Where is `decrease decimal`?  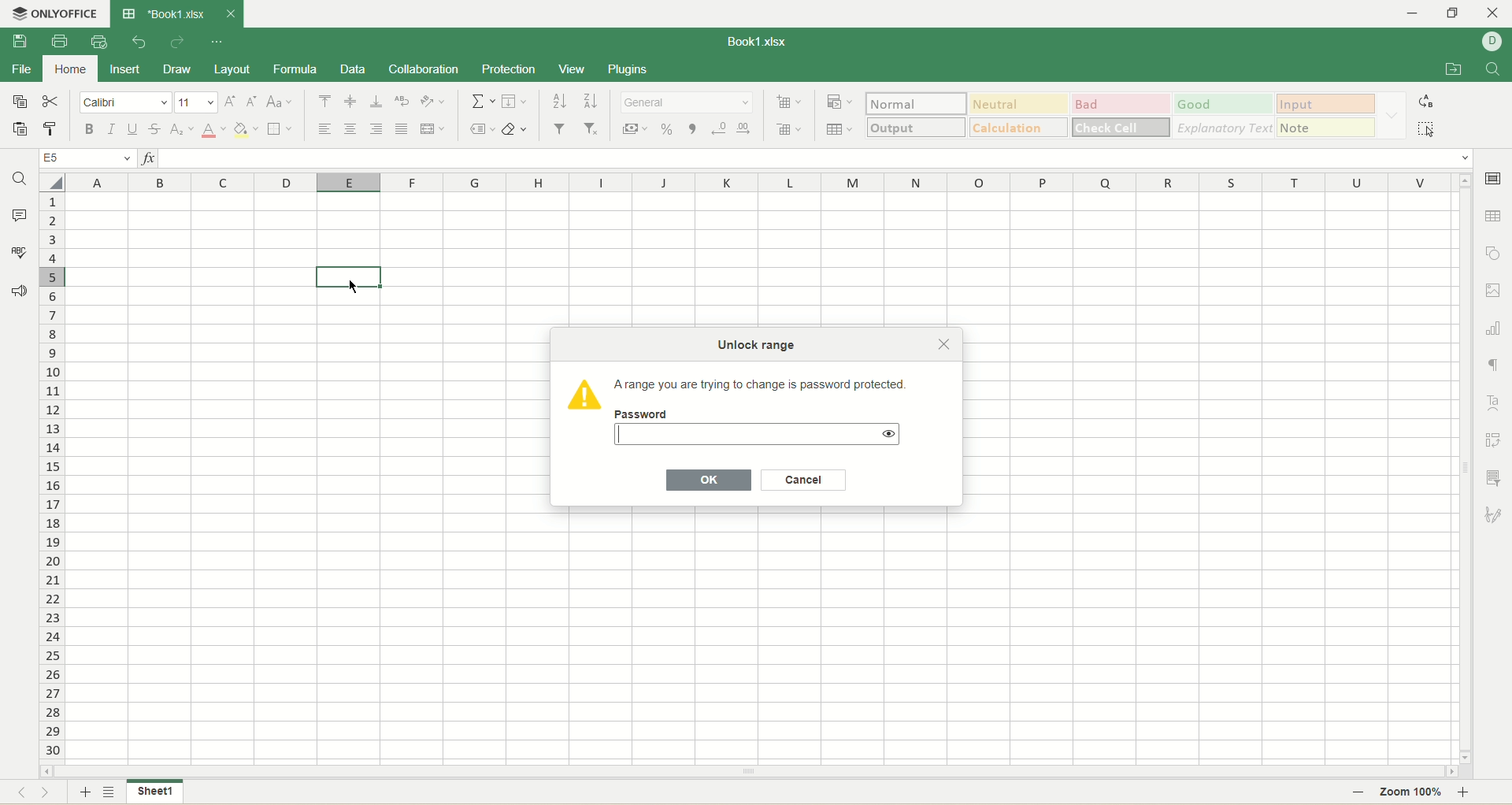 decrease decimal is located at coordinates (717, 128).